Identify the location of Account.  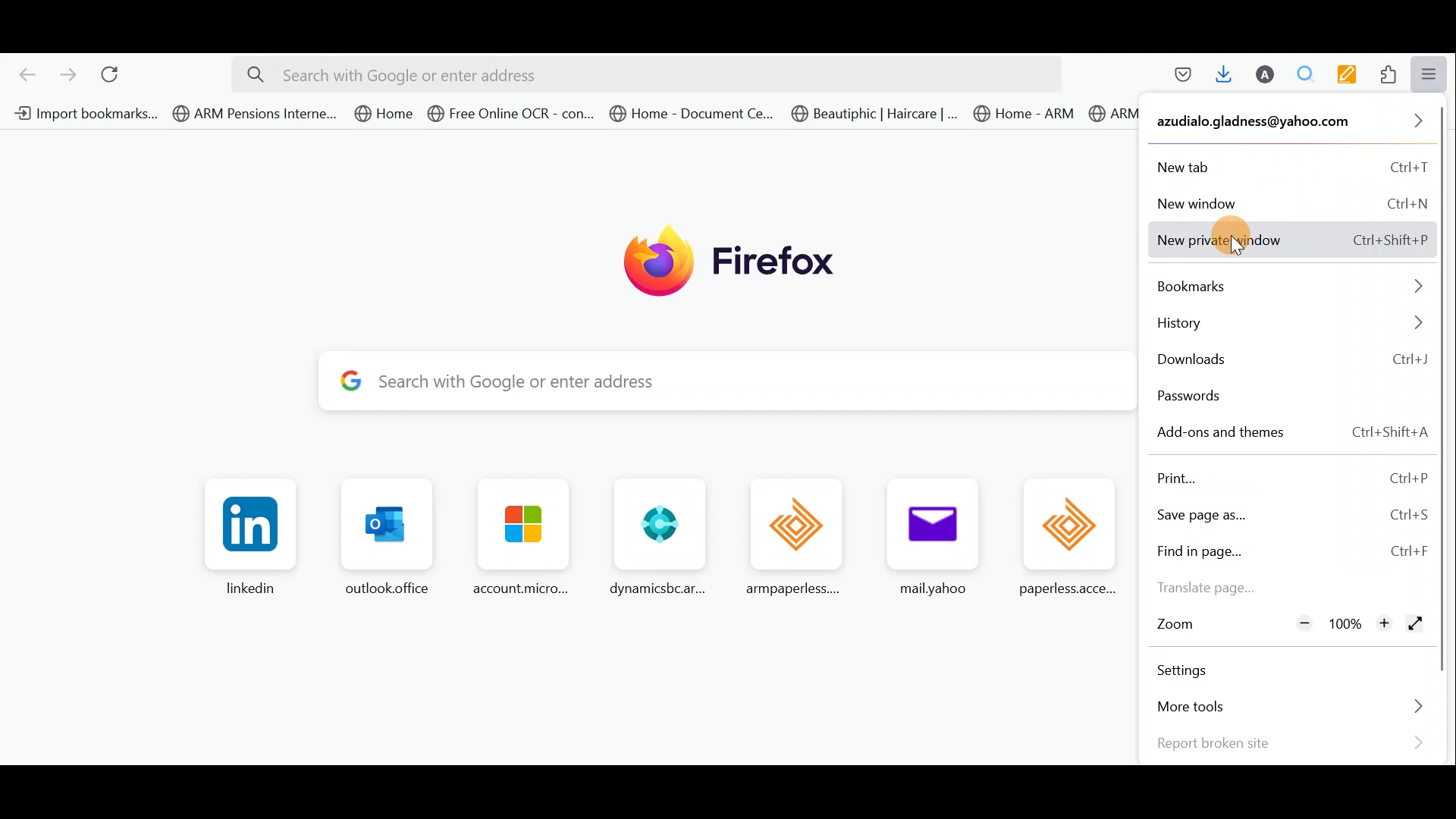
(1289, 124).